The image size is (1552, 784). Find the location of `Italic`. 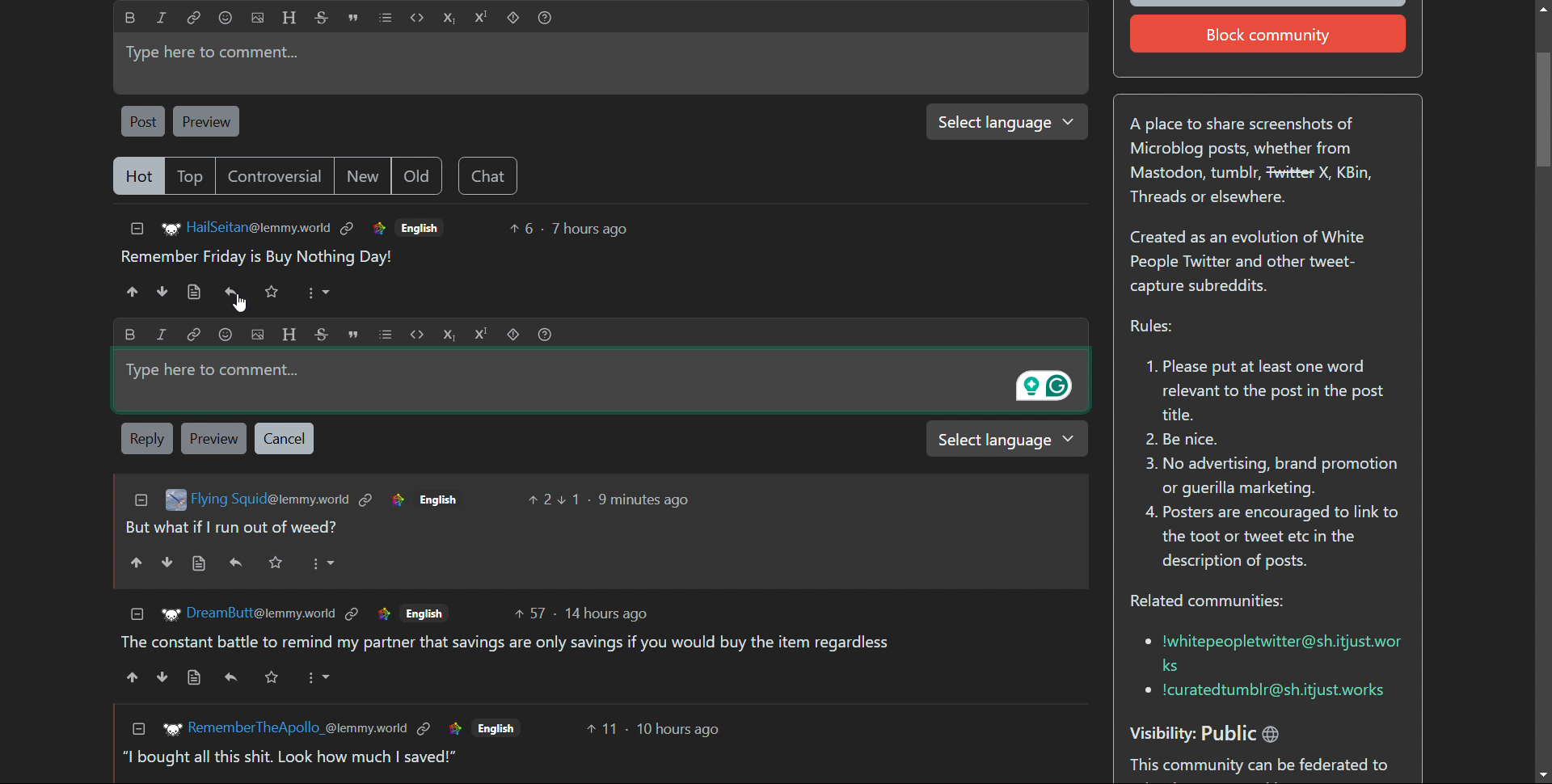

Italic is located at coordinates (163, 332).